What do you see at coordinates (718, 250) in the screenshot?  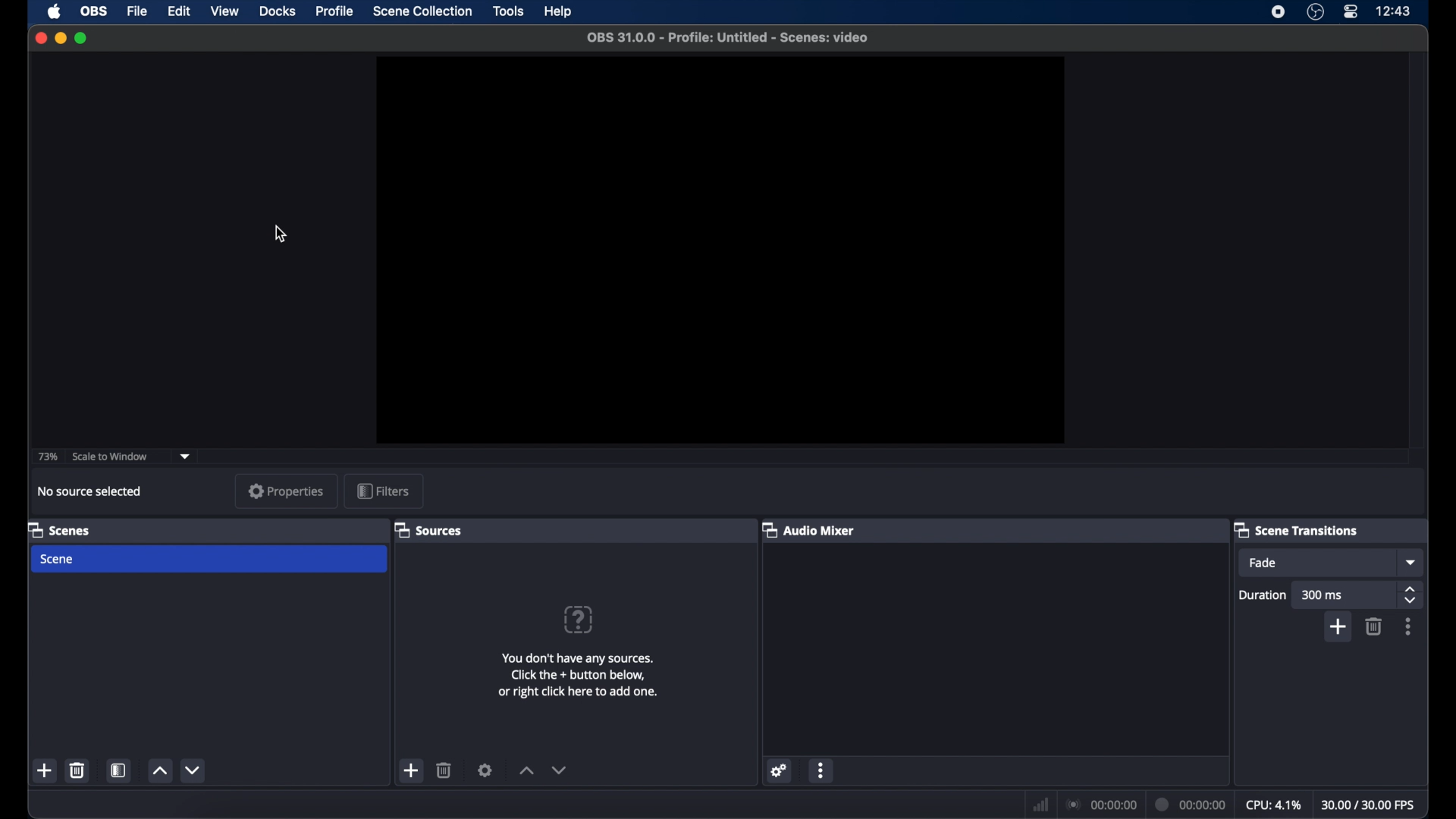 I see `preview` at bounding box center [718, 250].